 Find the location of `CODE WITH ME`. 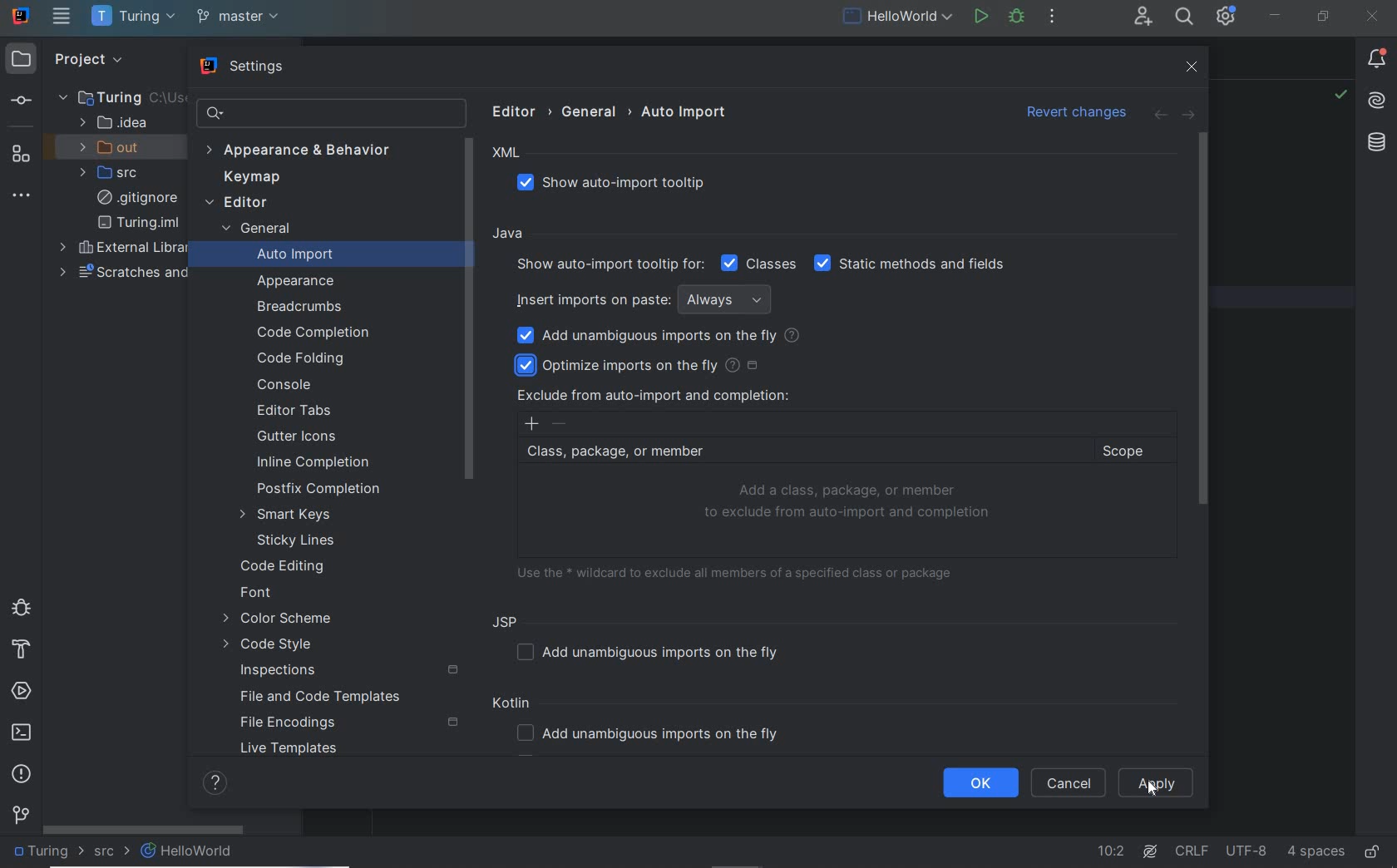

CODE WITH ME is located at coordinates (1142, 17).